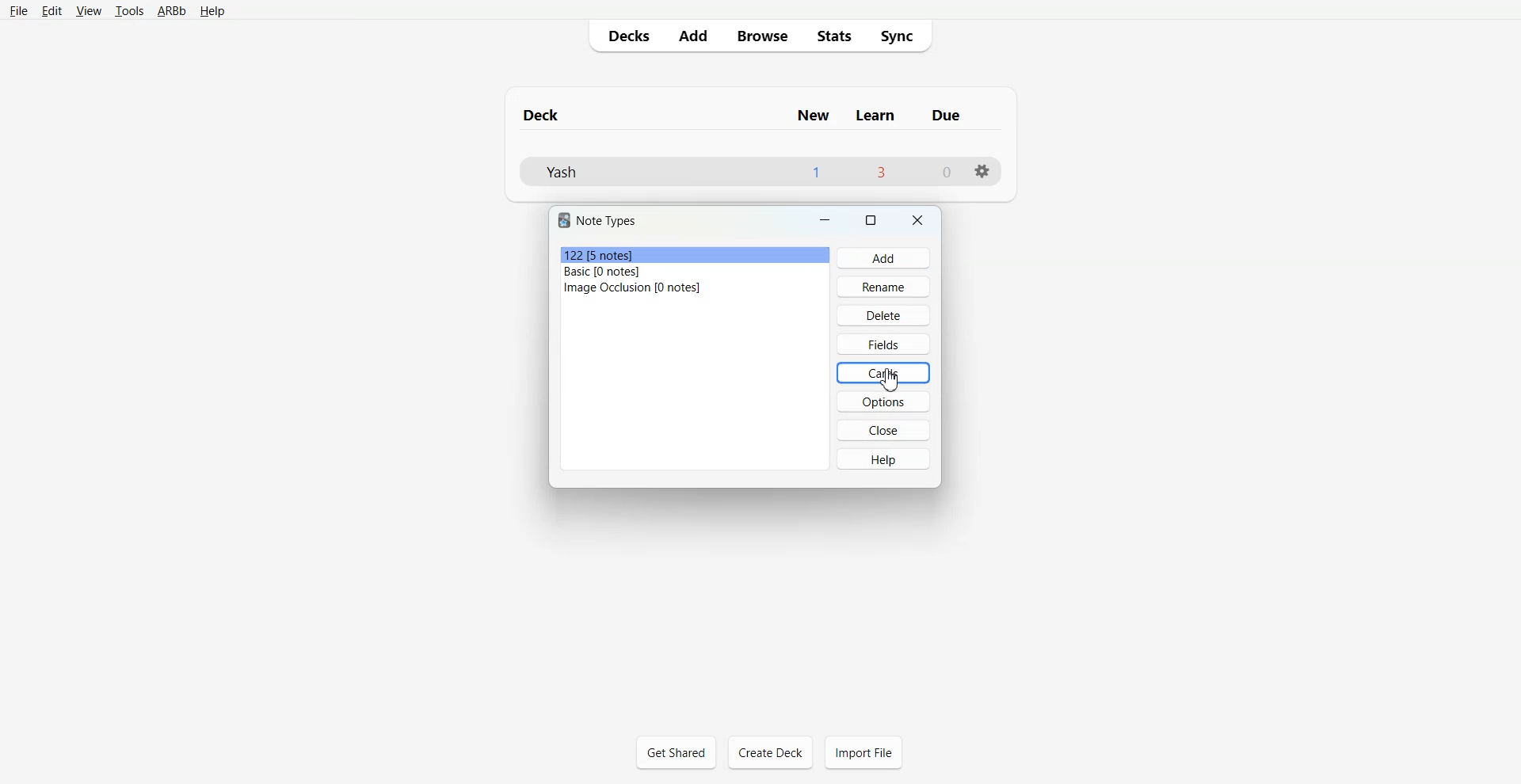 The height and width of the screenshot is (784, 1521). What do you see at coordinates (752, 114) in the screenshot?
I see `Text 1` at bounding box center [752, 114].